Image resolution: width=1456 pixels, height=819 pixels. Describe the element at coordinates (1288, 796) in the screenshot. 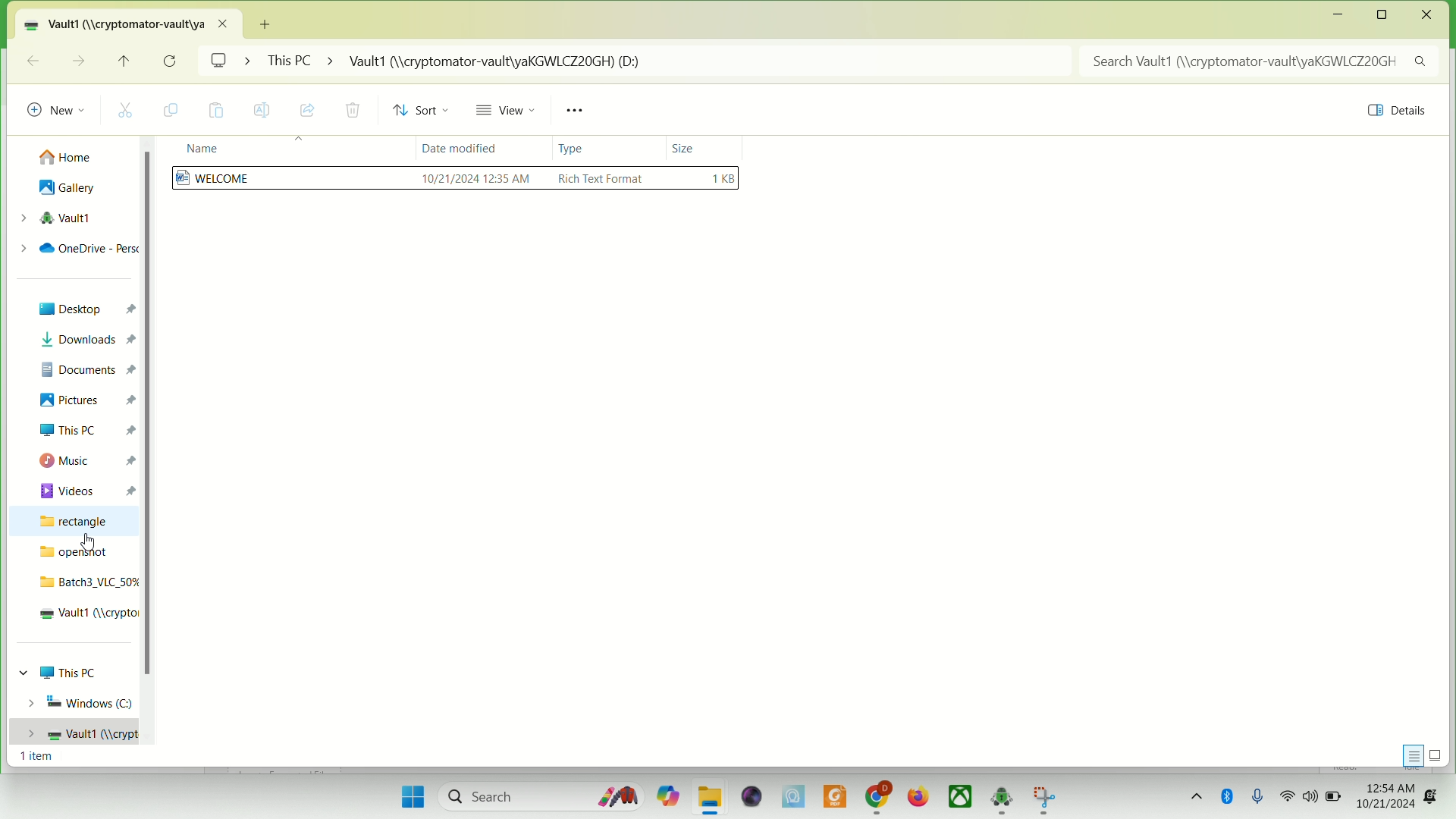

I see `wifi` at that location.